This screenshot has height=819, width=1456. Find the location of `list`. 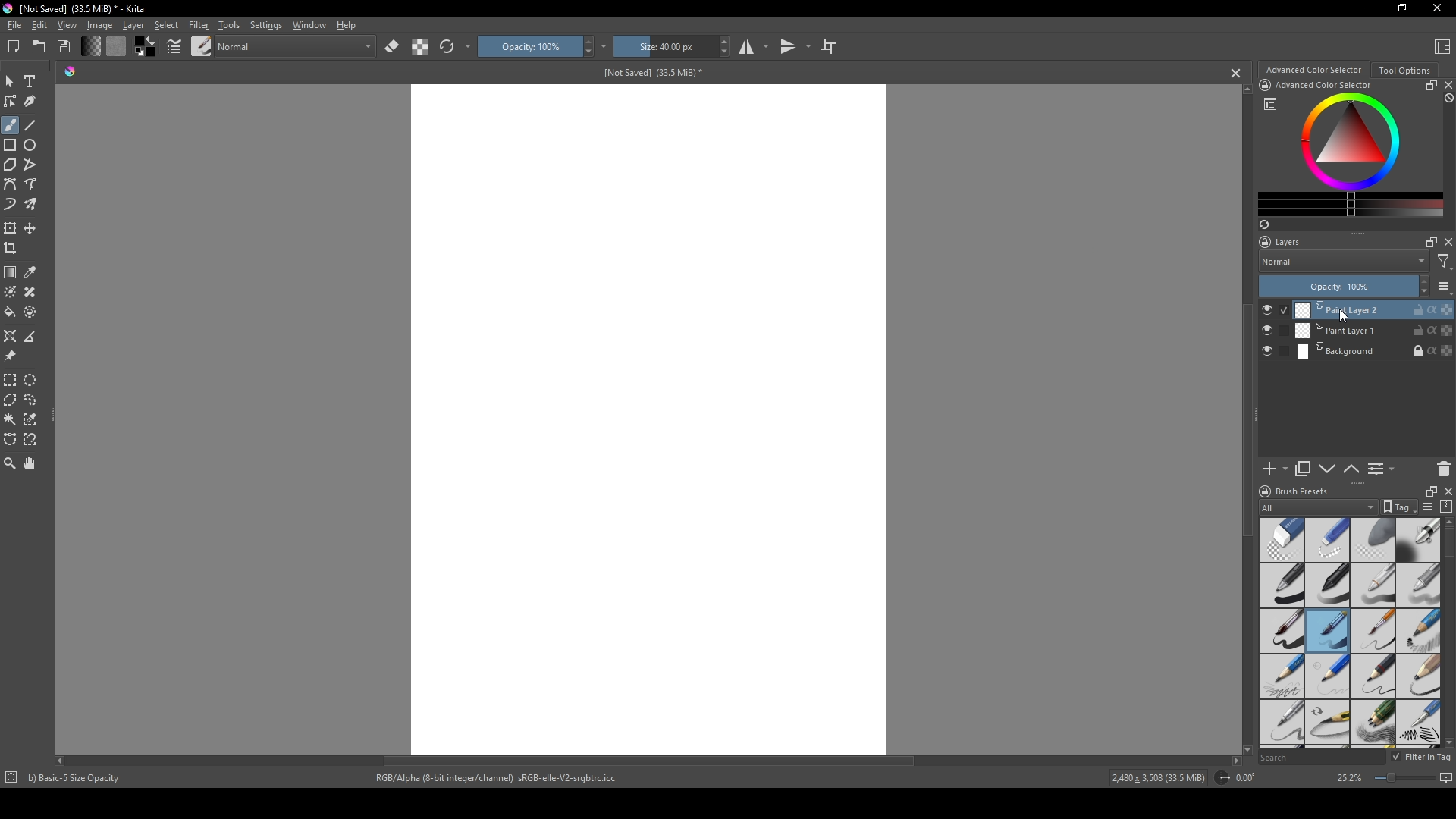

list is located at coordinates (1427, 507).